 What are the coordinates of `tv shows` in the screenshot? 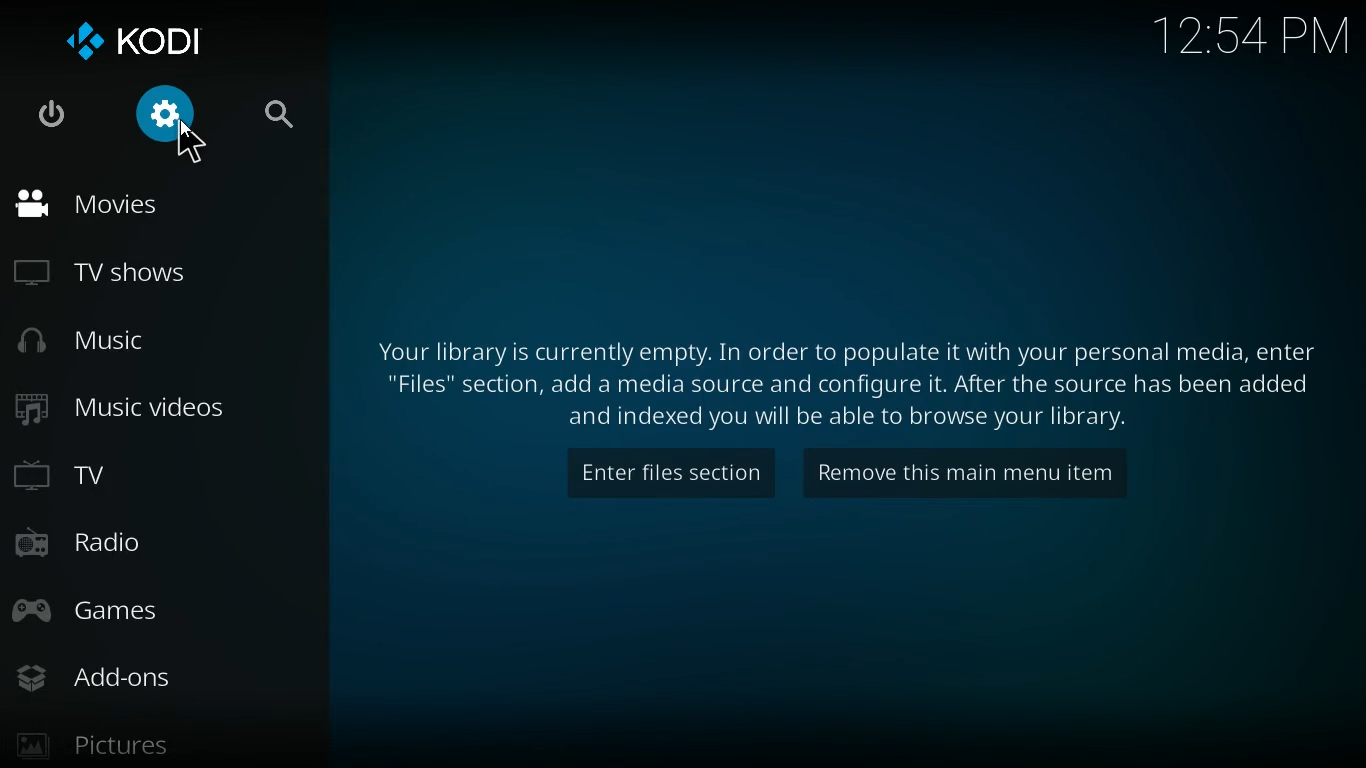 It's located at (142, 278).